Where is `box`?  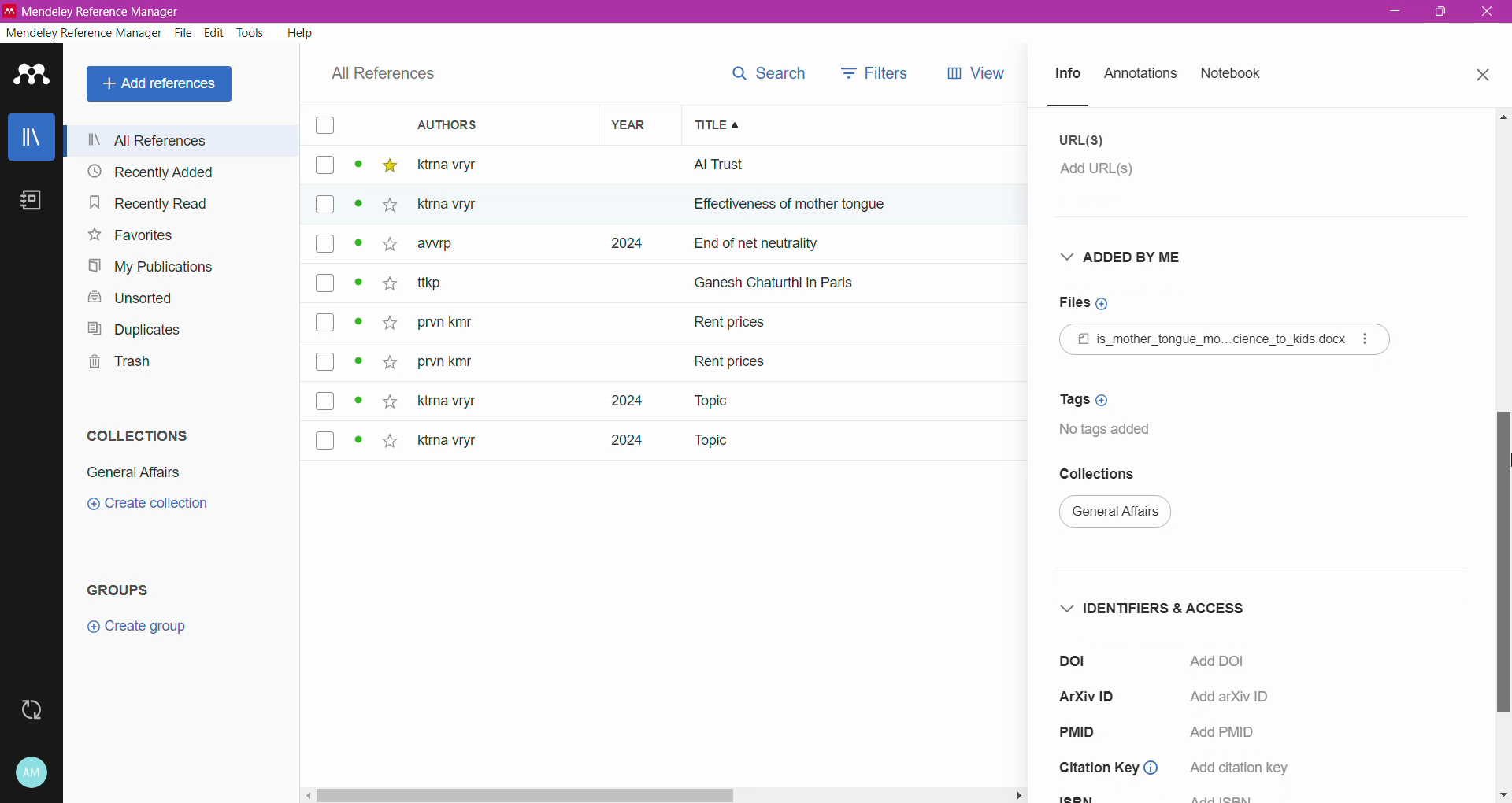
box is located at coordinates (324, 205).